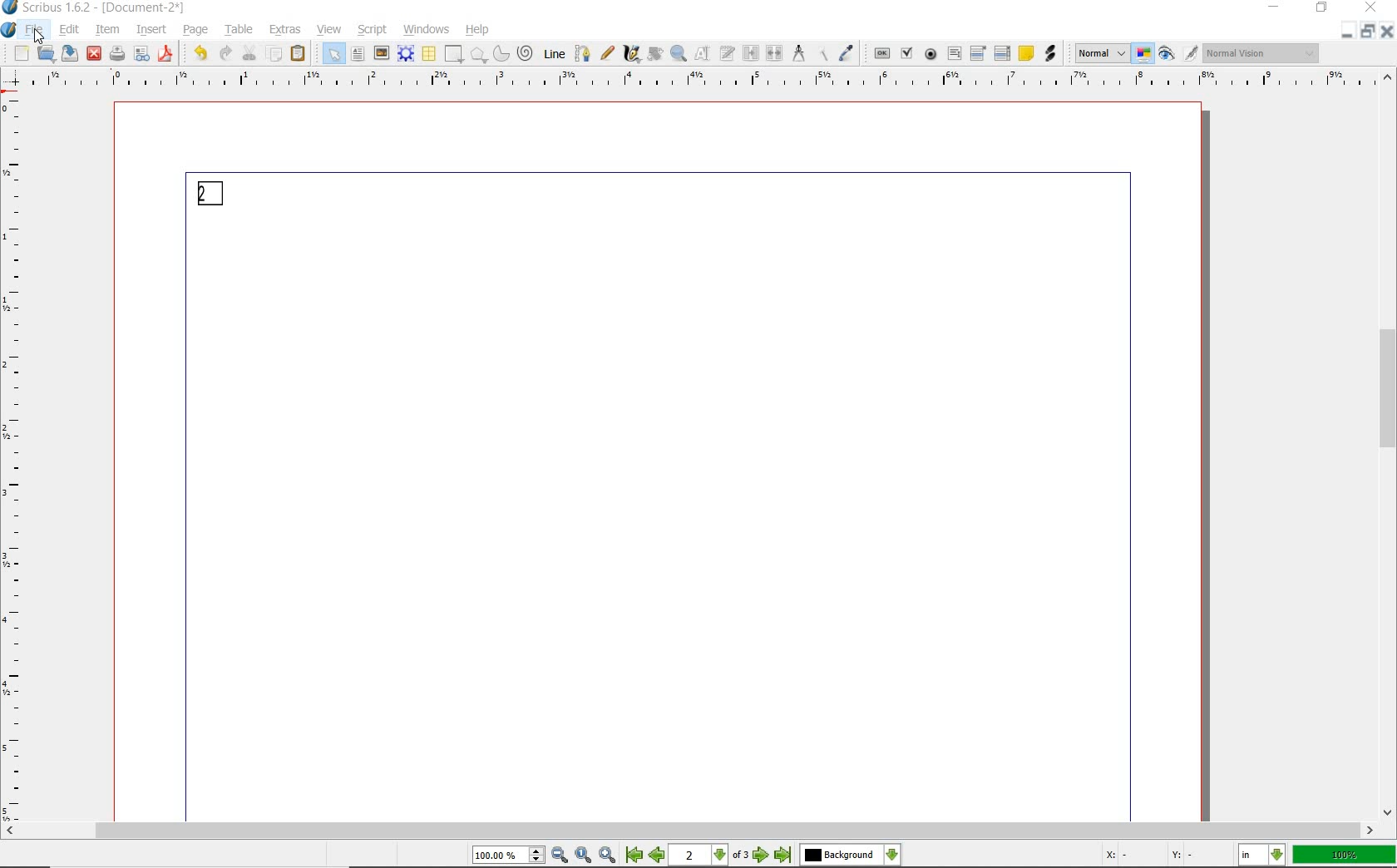 This screenshot has height=868, width=1397. I want to click on restore, so click(1321, 9).